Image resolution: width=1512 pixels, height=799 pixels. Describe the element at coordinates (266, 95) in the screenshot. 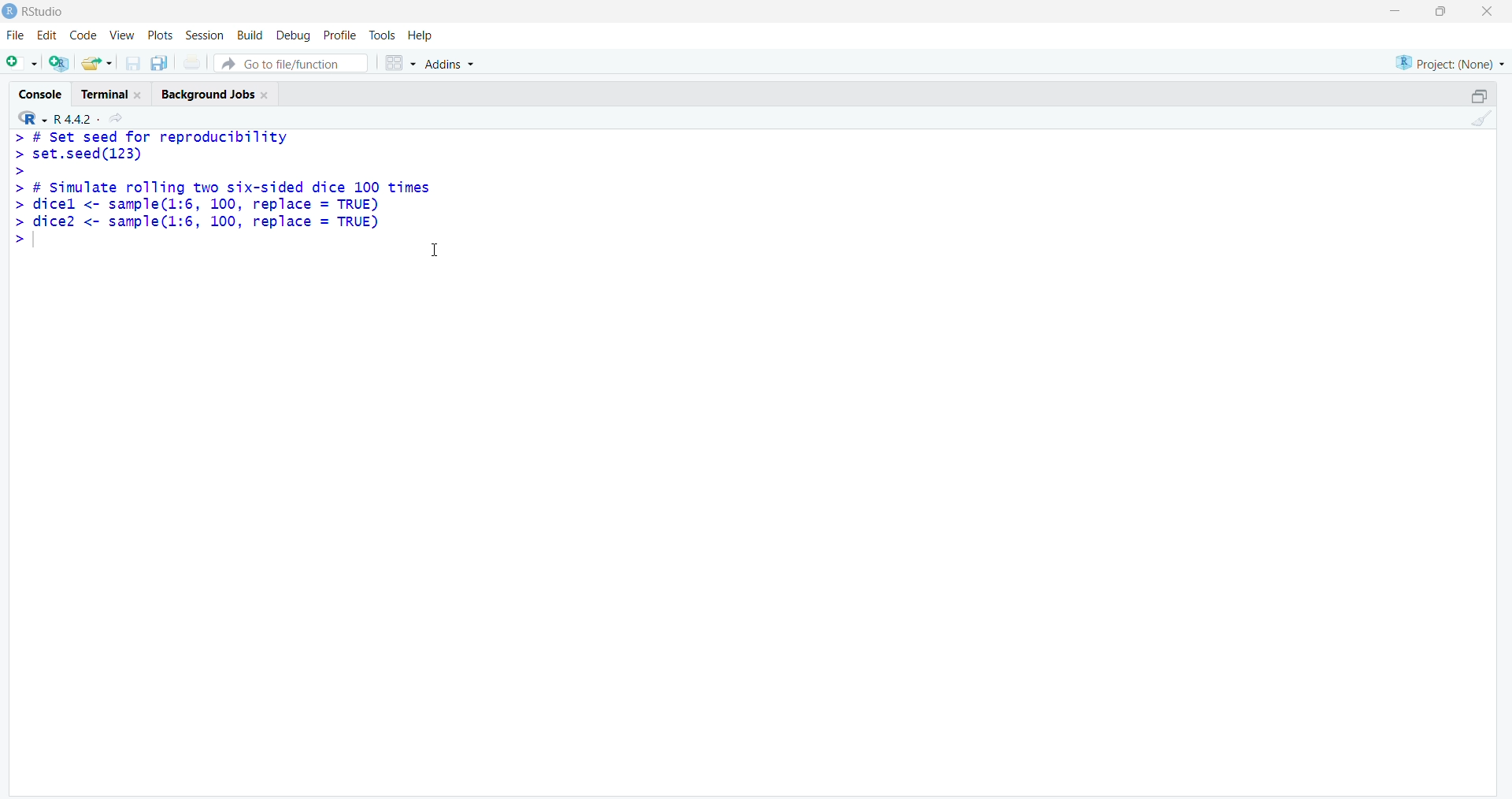

I see `close` at that location.